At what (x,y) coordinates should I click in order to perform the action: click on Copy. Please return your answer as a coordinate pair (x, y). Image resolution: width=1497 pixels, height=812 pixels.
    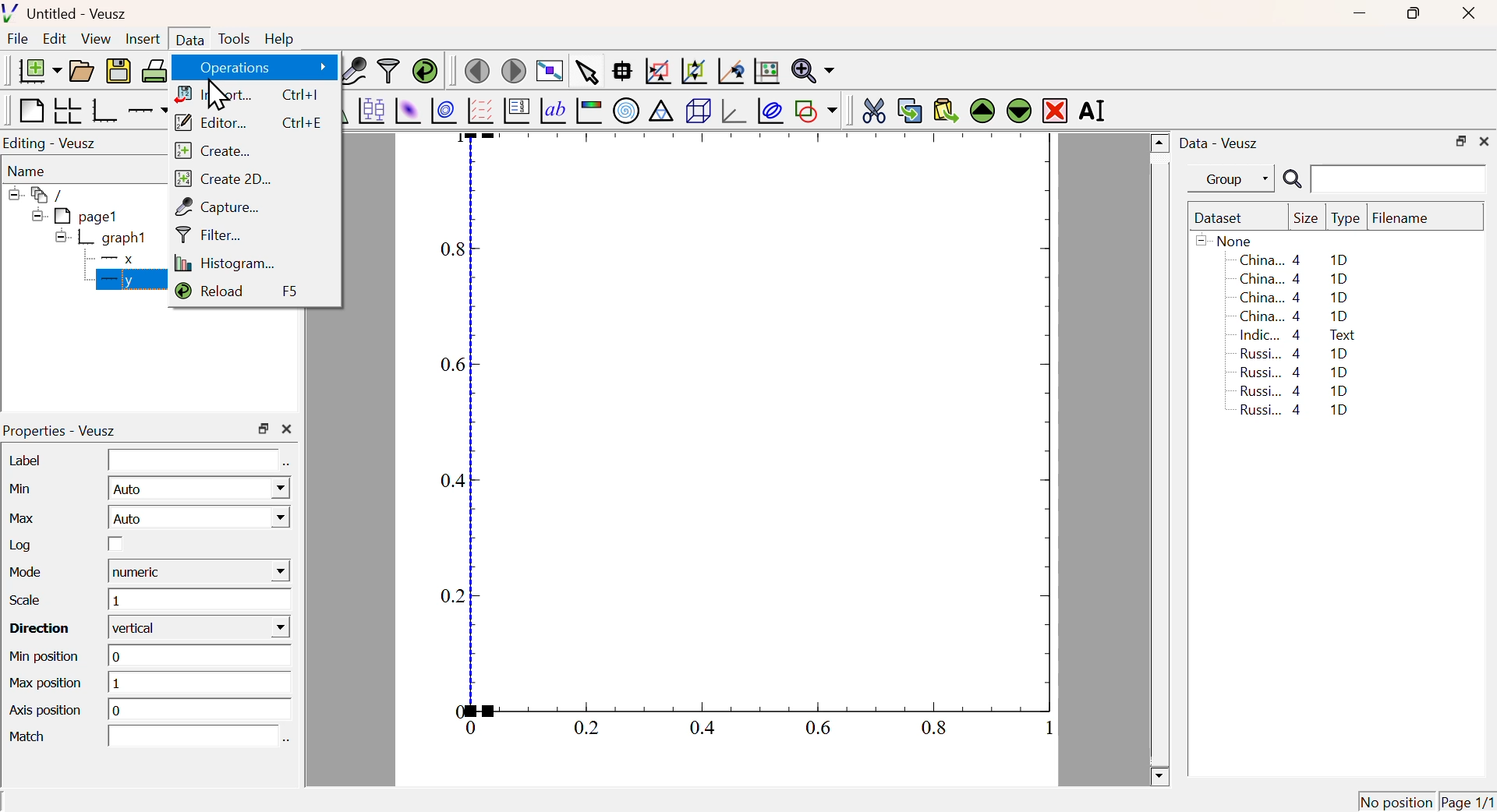
    Looking at the image, I should click on (909, 111).